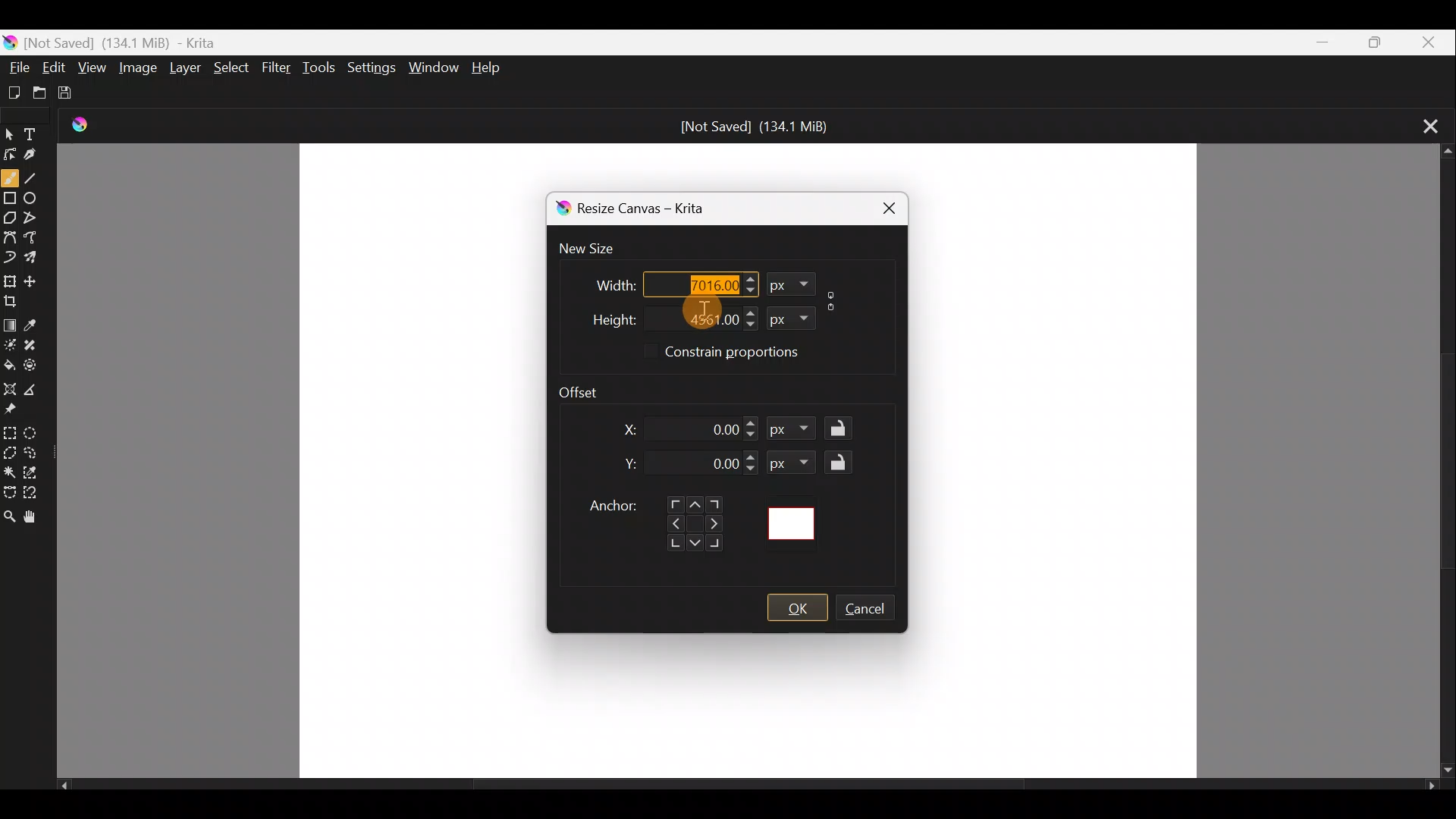 This screenshot has height=819, width=1456. What do you see at coordinates (12, 411) in the screenshot?
I see `Reference images tool` at bounding box center [12, 411].